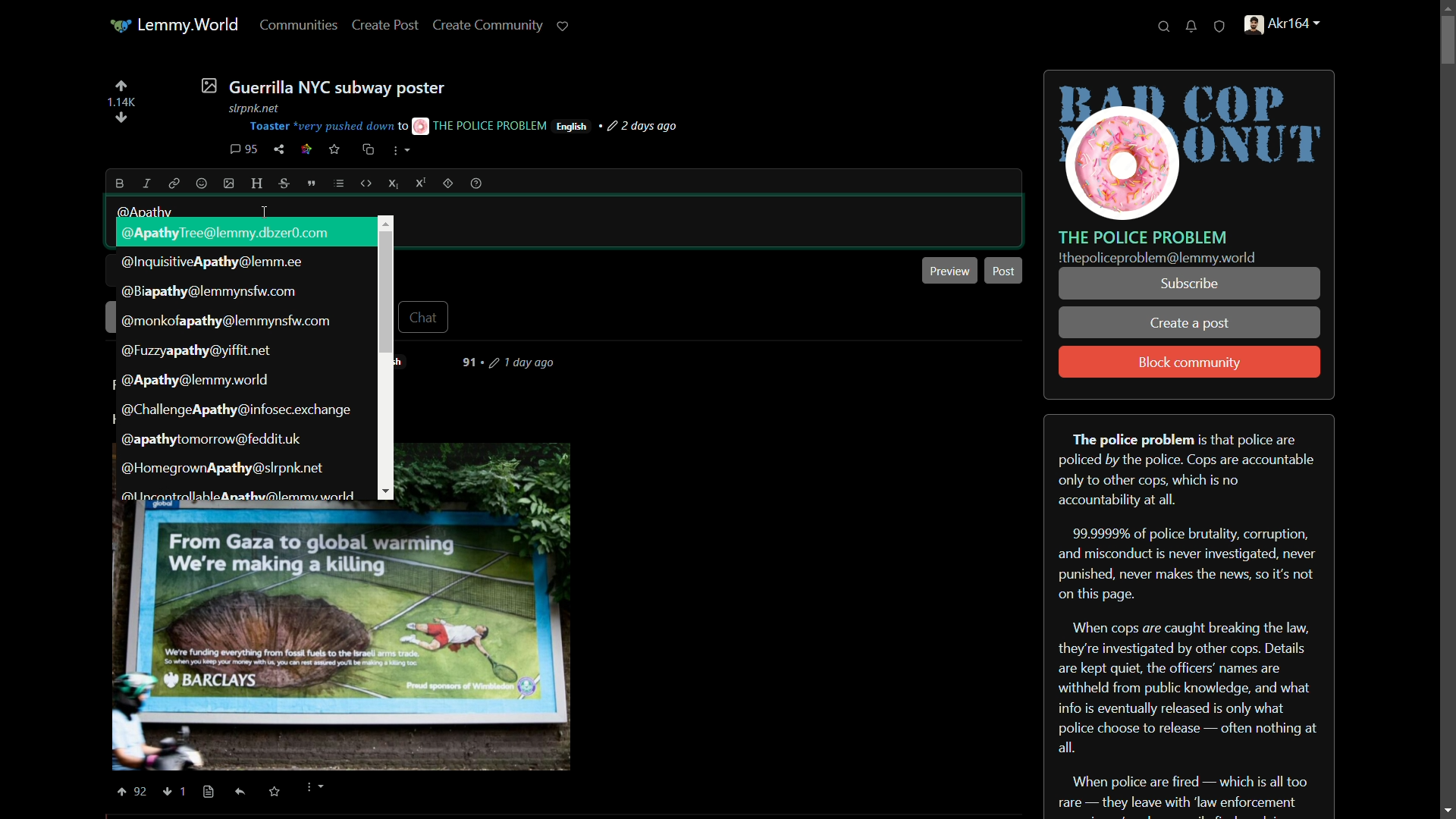 Image resolution: width=1456 pixels, height=819 pixels. What do you see at coordinates (121, 184) in the screenshot?
I see `bold` at bounding box center [121, 184].